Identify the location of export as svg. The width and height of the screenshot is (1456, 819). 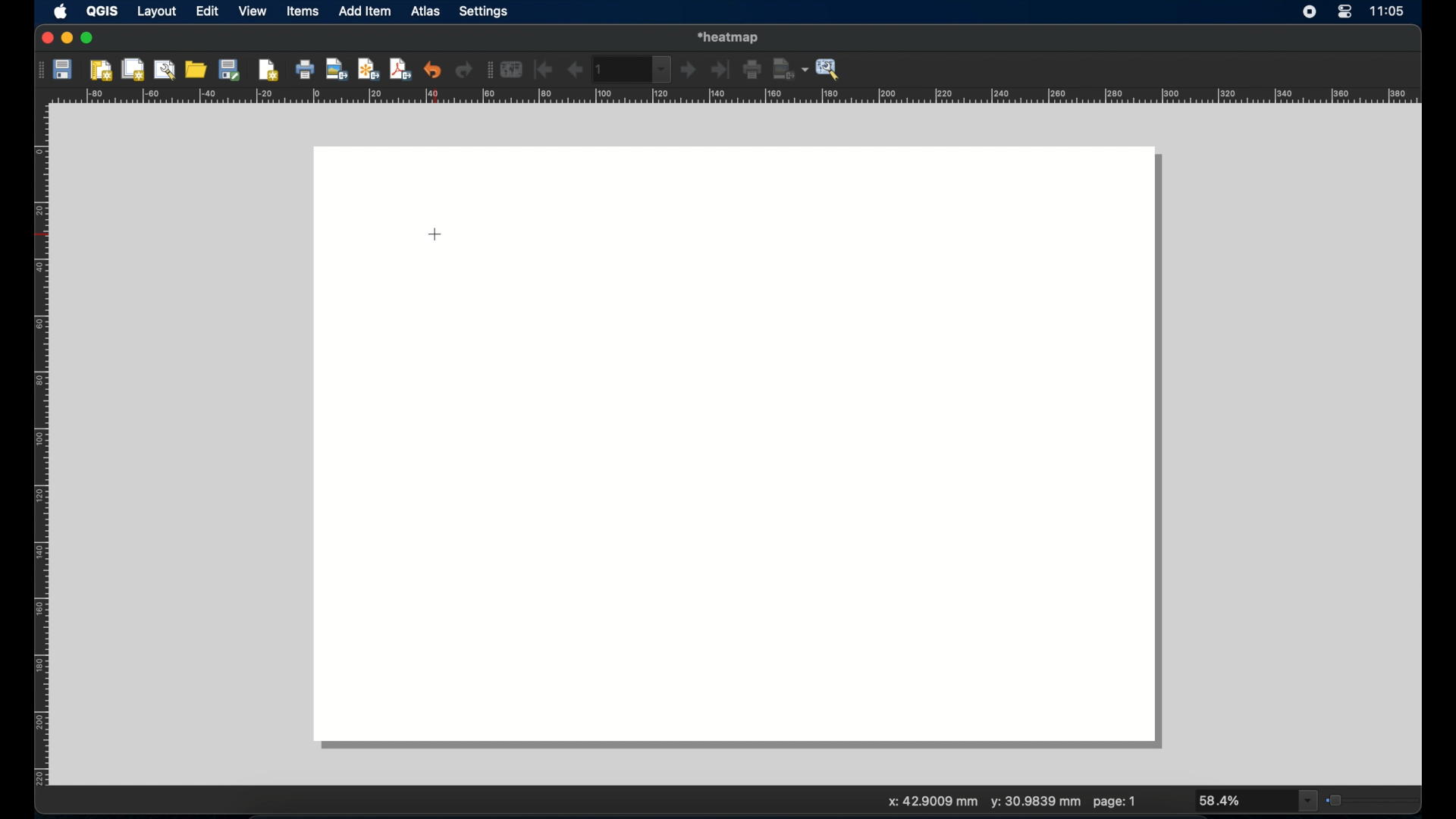
(369, 69).